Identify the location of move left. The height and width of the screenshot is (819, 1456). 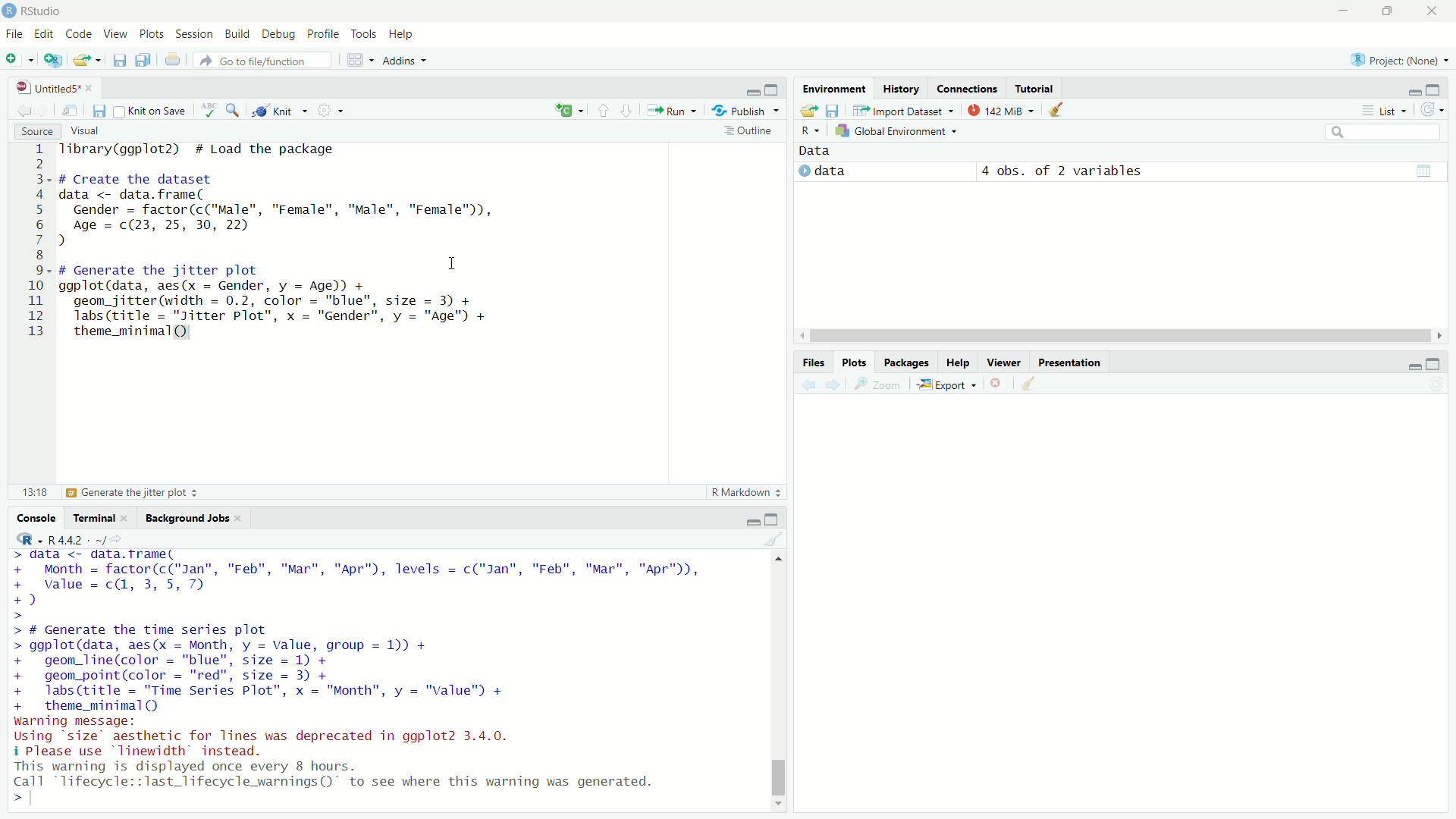
(804, 337).